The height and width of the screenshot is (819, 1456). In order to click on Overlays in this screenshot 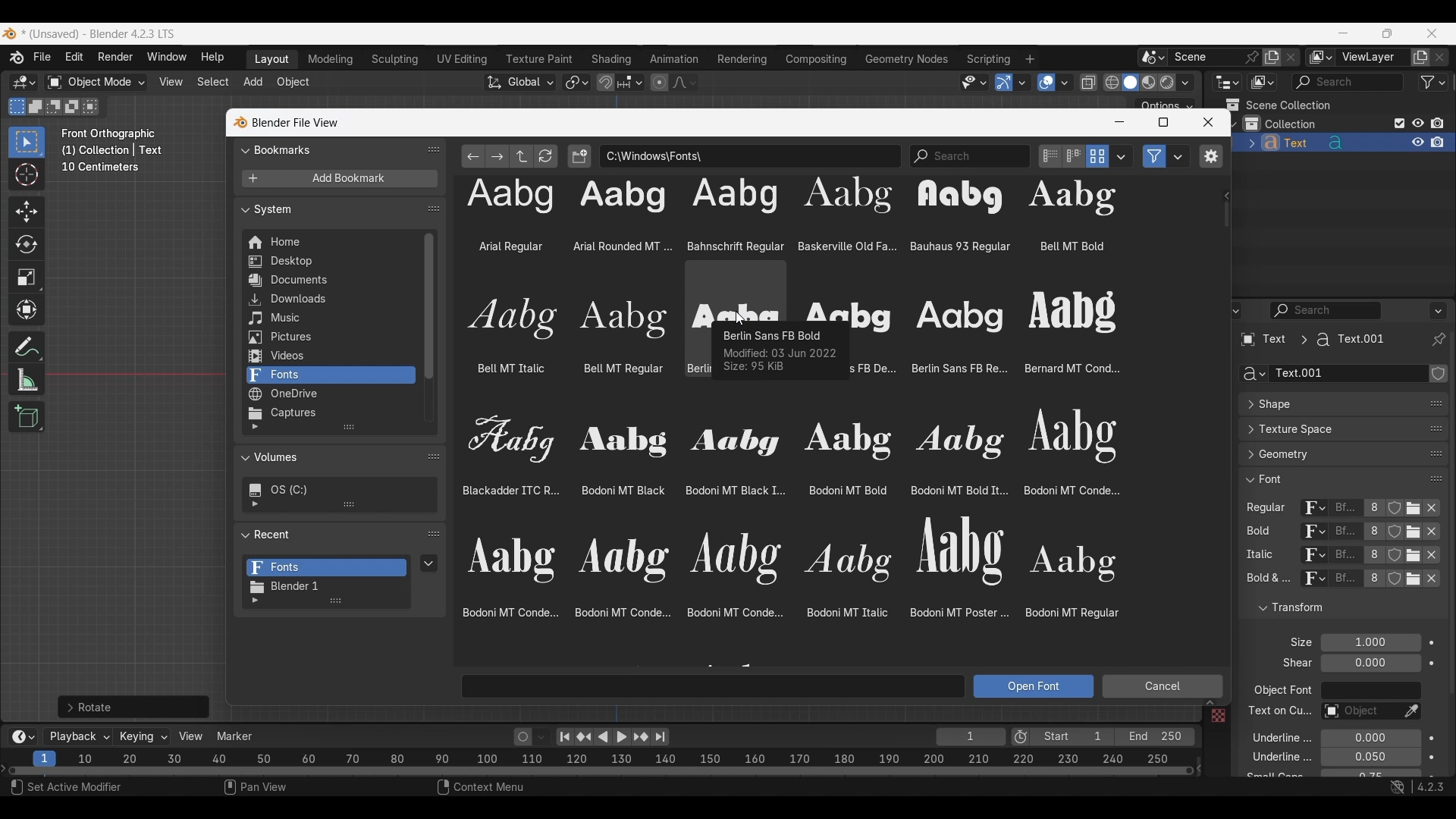, I will do `click(1064, 83)`.